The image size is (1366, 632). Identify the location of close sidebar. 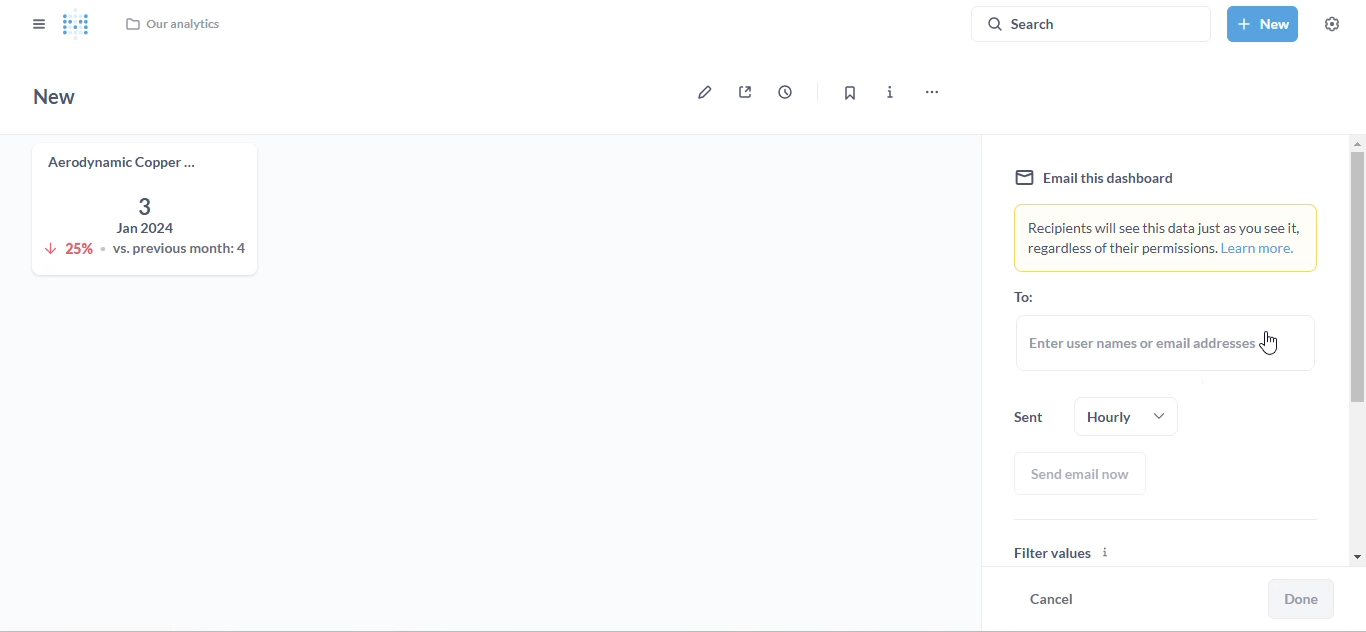
(39, 23).